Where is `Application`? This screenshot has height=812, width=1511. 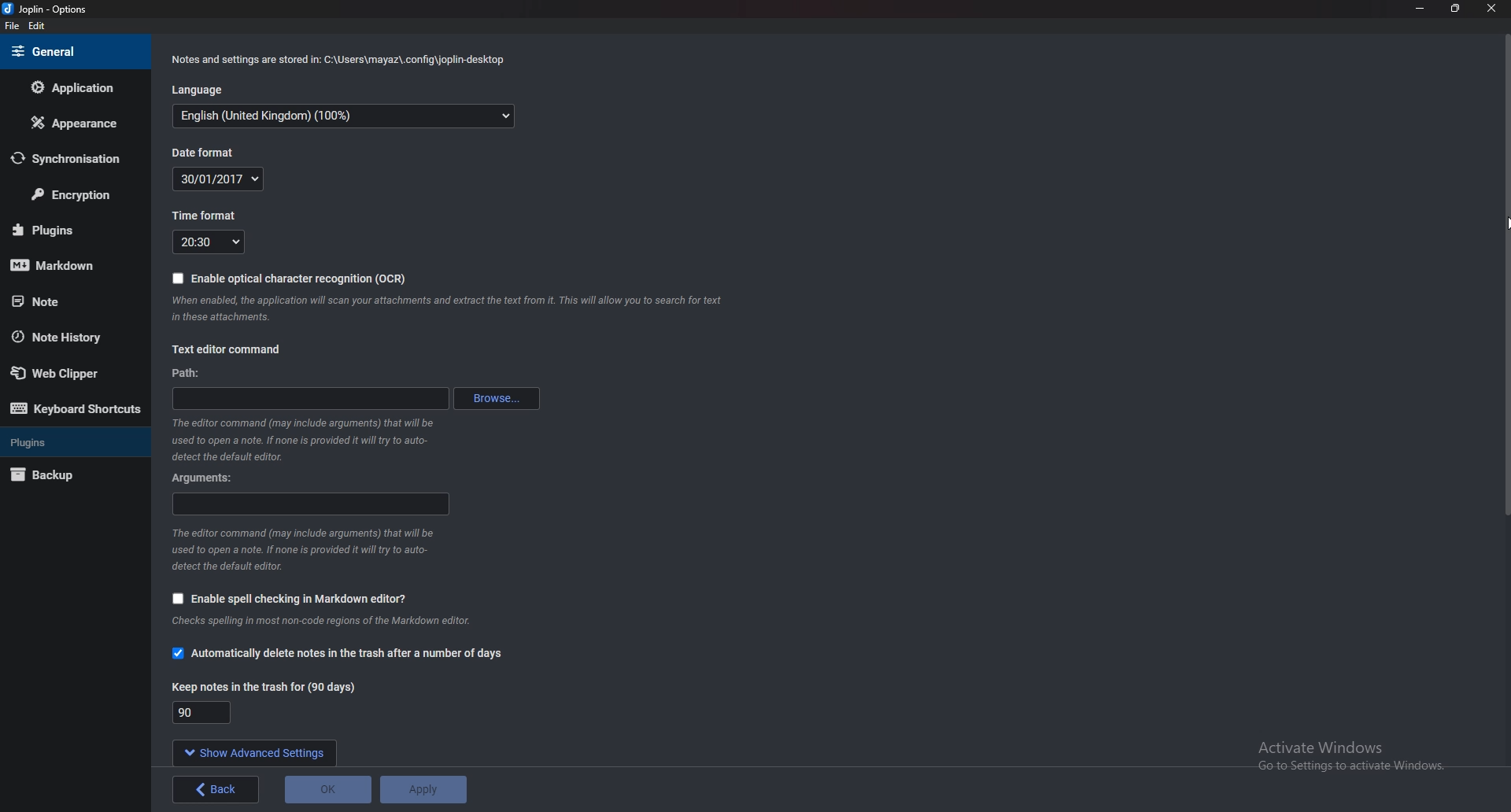 Application is located at coordinates (73, 87).